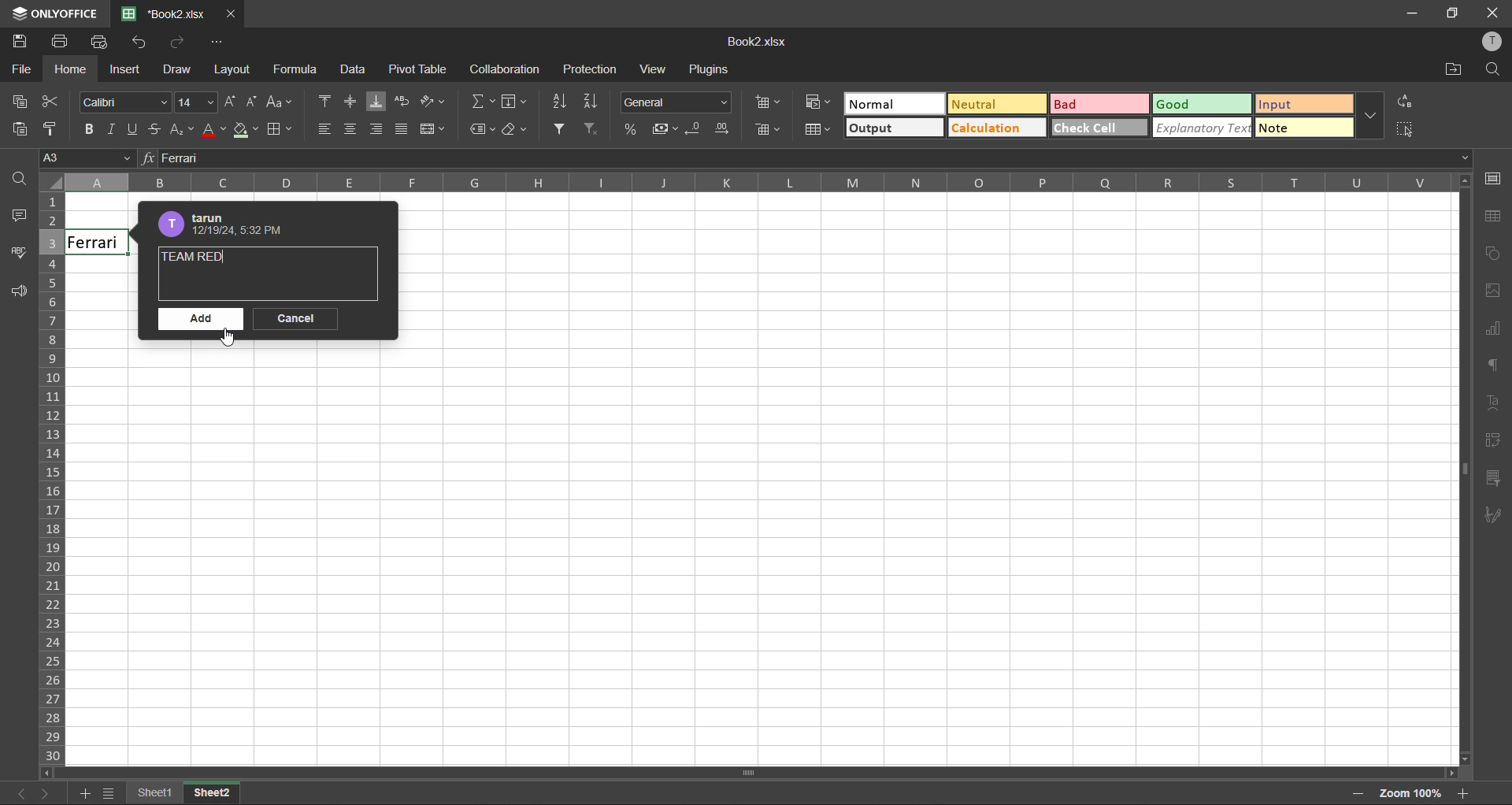 The image size is (1512, 805). What do you see at coordinates (52, 478) in the screenshot?
I see `row numbers` at bounding box center [52, 478].